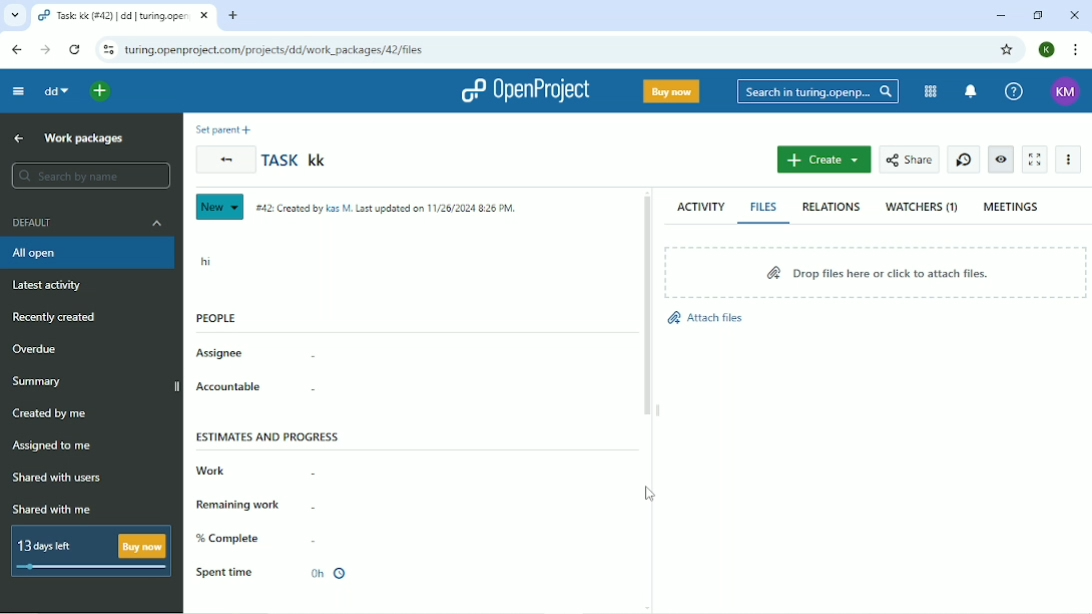 This screenshot has width=1092, height=614. I want to click on Shared with users, so click(57, 479).